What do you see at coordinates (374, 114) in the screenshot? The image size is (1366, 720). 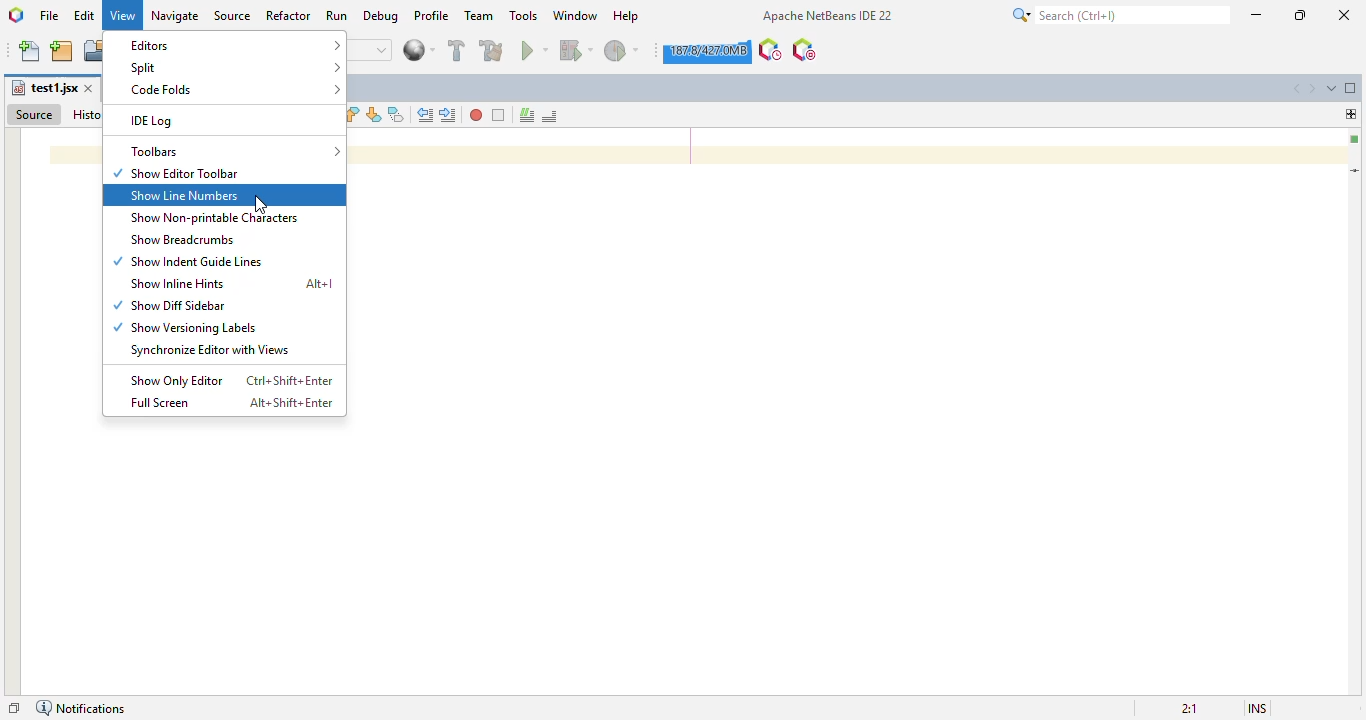 I see `next bookmark` at bounding box center [374, 114].